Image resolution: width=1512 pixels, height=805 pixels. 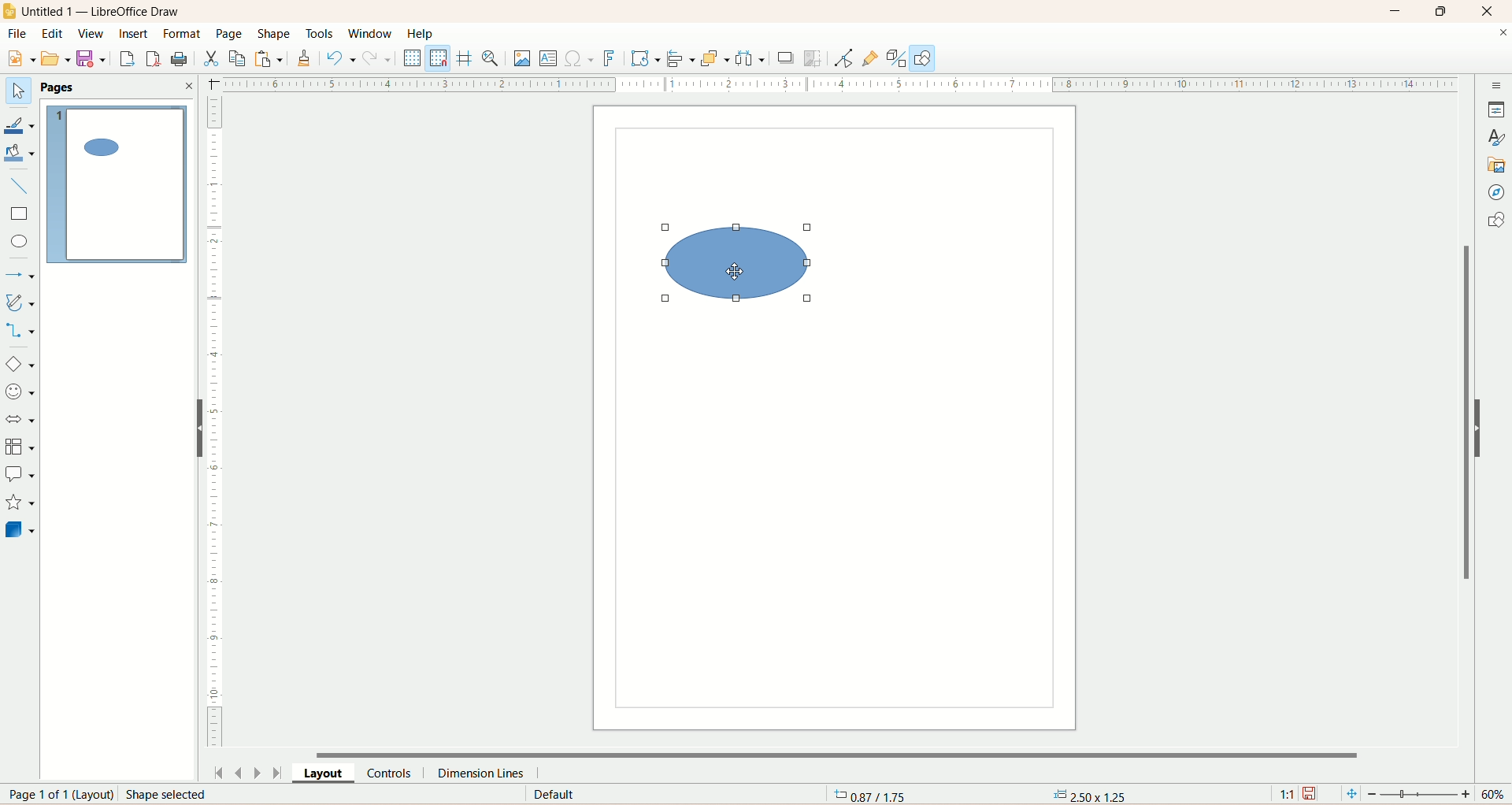 I want to click on select atleast three objects to distribute, so click(x=752, y=58).